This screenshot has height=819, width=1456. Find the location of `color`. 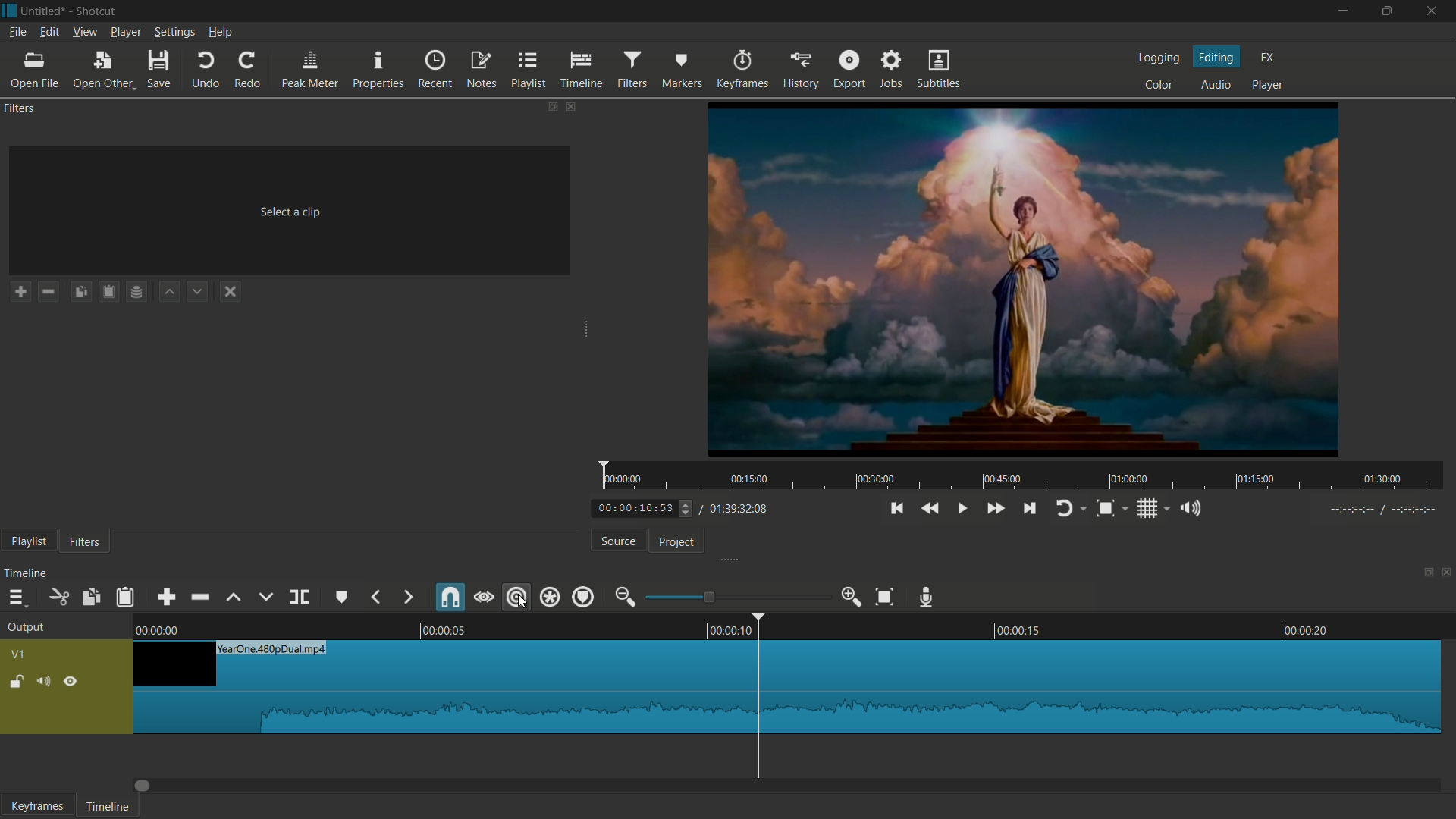

color is located at coordinates (1159, 84).